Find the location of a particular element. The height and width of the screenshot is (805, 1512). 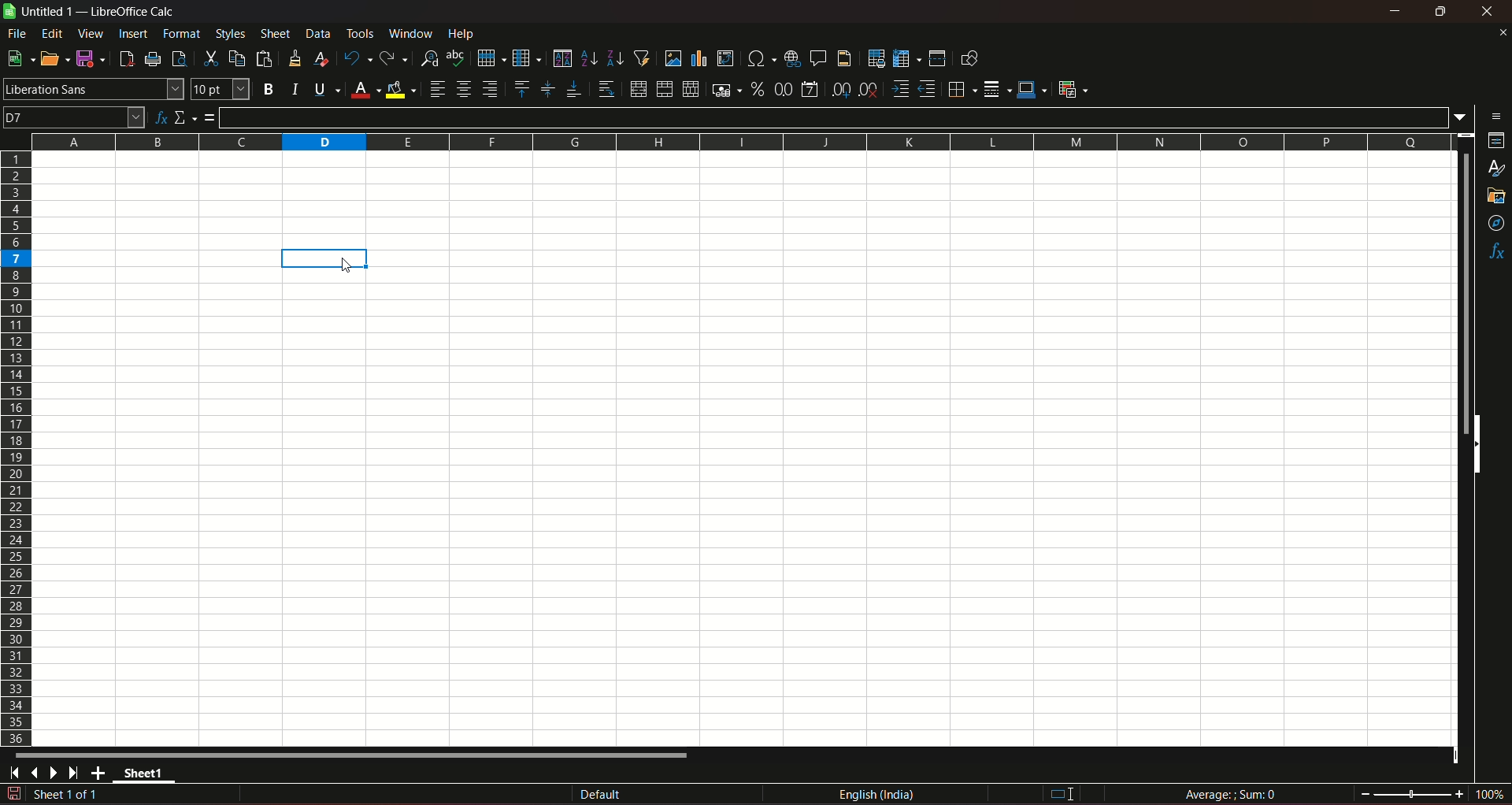

title is located at coordinates (134, 12).